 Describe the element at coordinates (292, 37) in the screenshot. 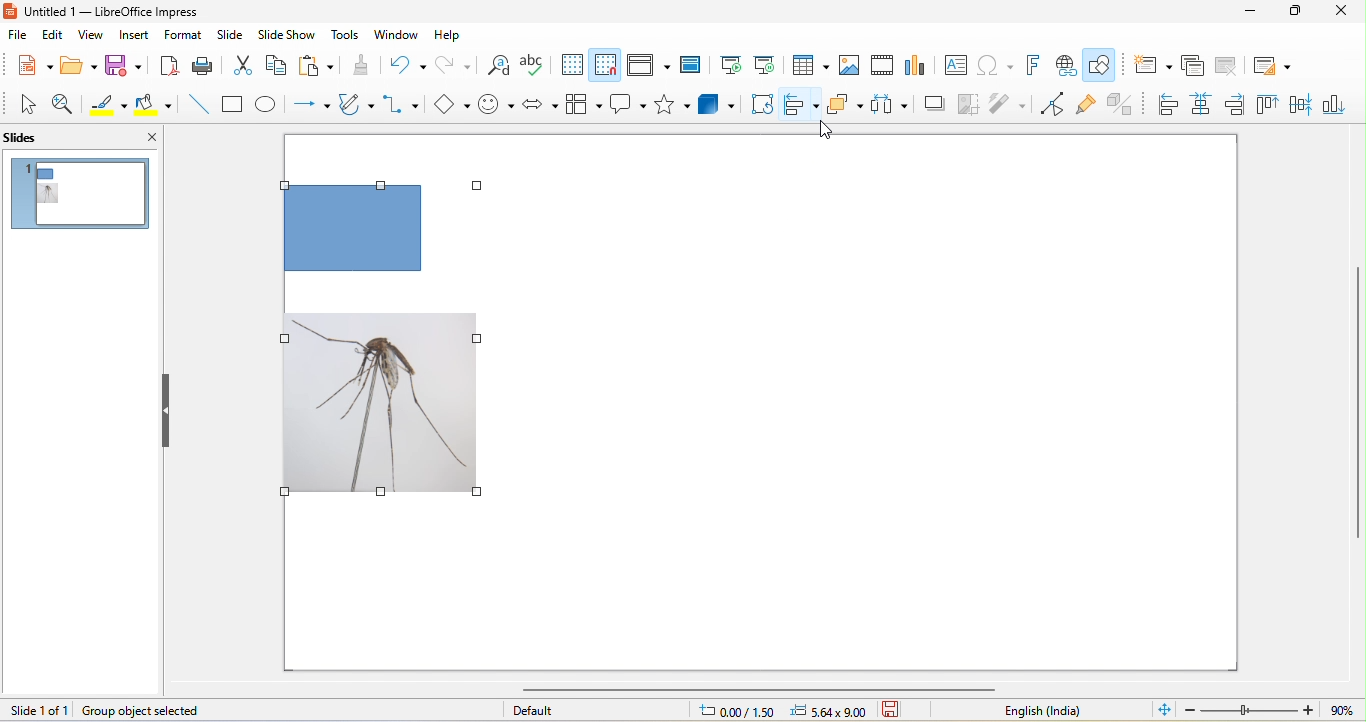

I see `slide show` at that location.